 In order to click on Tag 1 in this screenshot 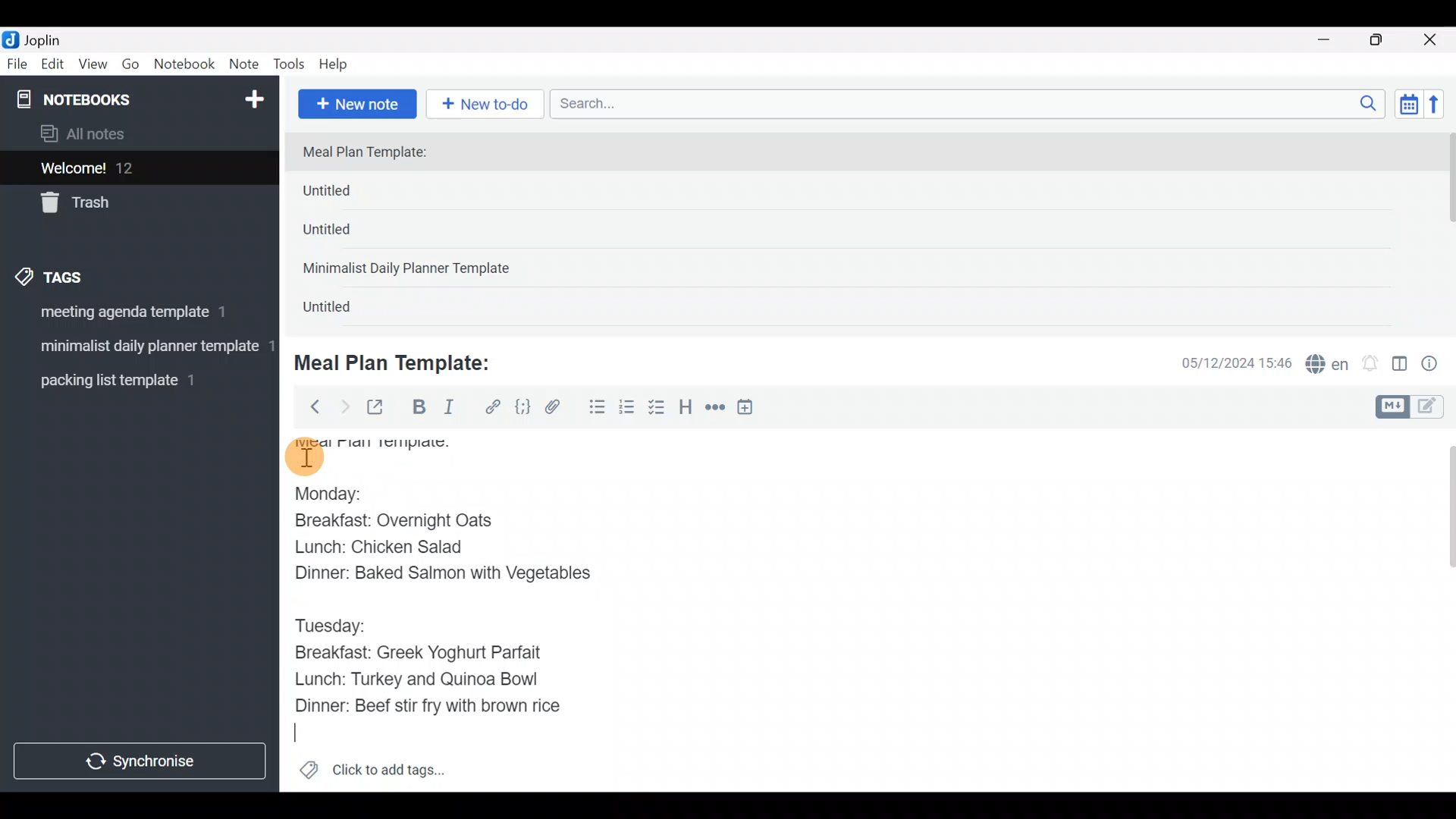, I will do `click(135, 316)`.